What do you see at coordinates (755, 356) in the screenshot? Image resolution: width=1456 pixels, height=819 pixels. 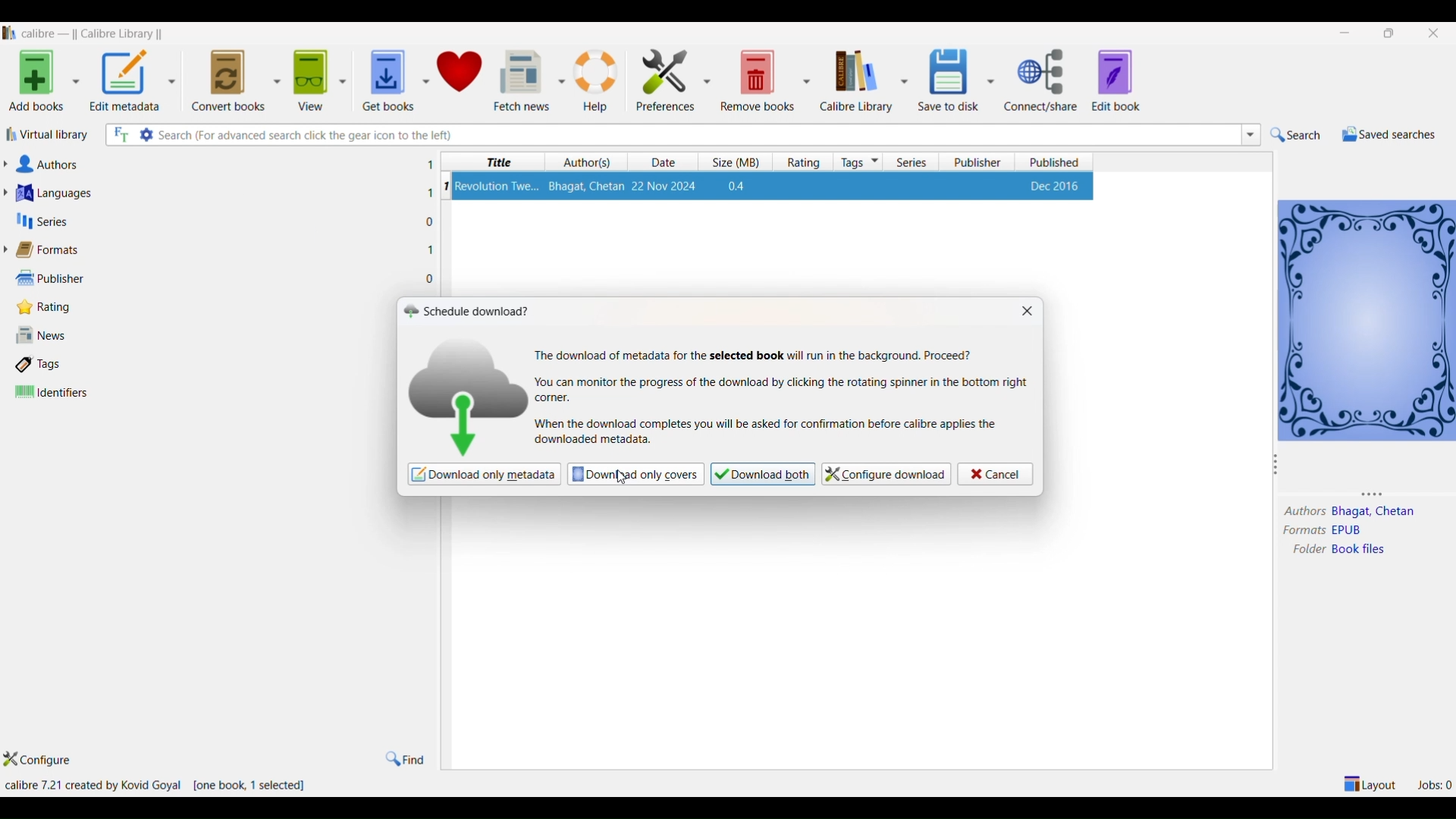 I see `text` at bounding box center [755, 356].